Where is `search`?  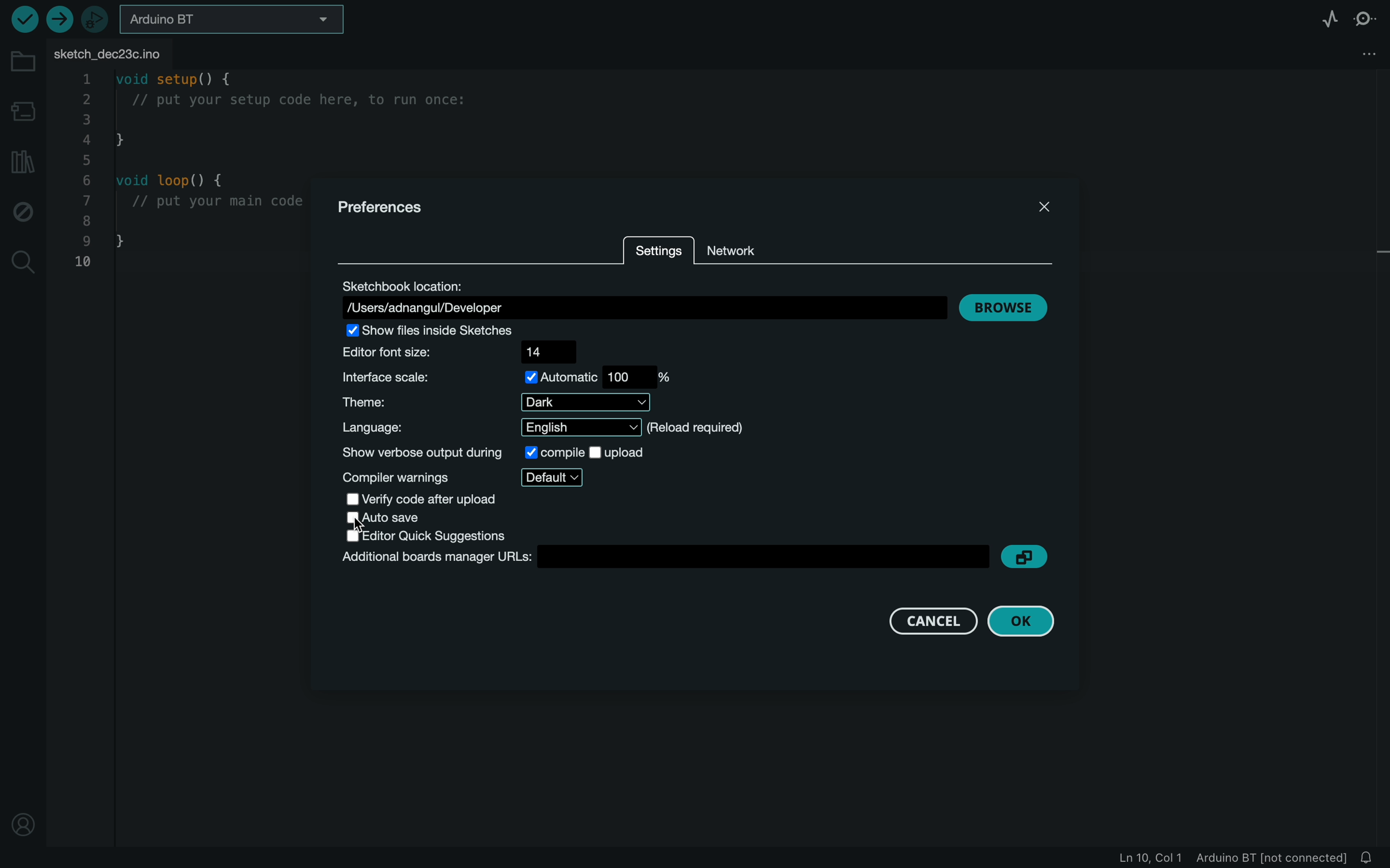
search is located at coordinates (25, 261).